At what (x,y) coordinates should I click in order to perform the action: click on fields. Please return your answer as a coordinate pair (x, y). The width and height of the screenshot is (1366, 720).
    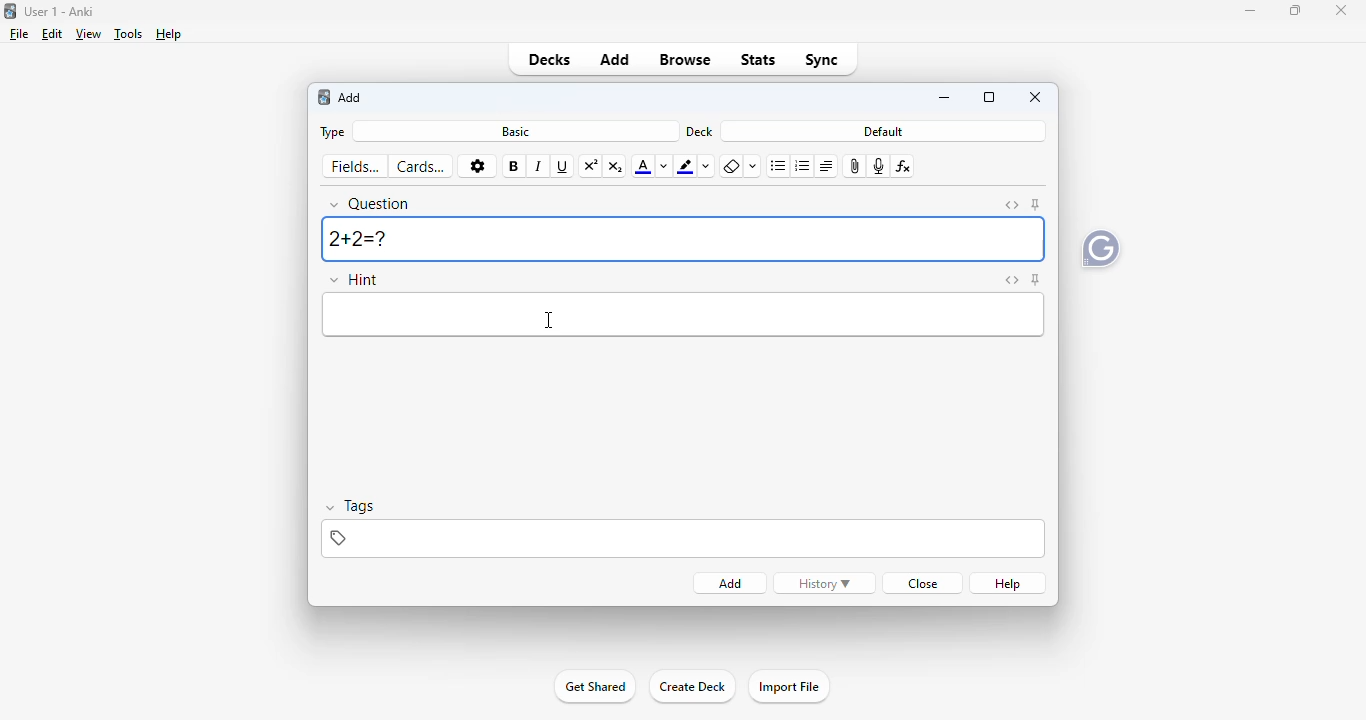
    Looking at the image, I should click on (355, 167).